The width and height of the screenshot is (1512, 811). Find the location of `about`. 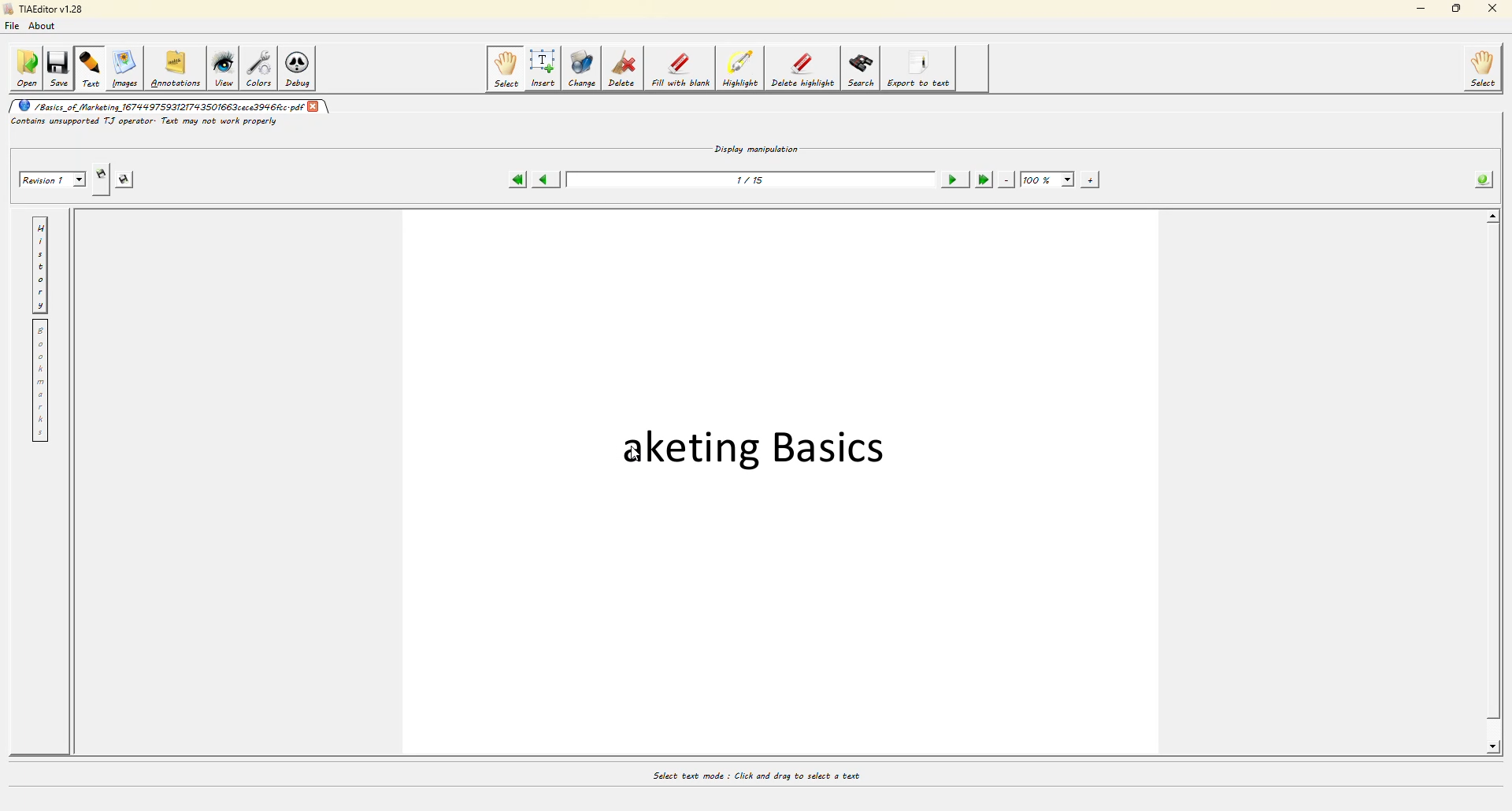

about is located at coordinates (43, 28).